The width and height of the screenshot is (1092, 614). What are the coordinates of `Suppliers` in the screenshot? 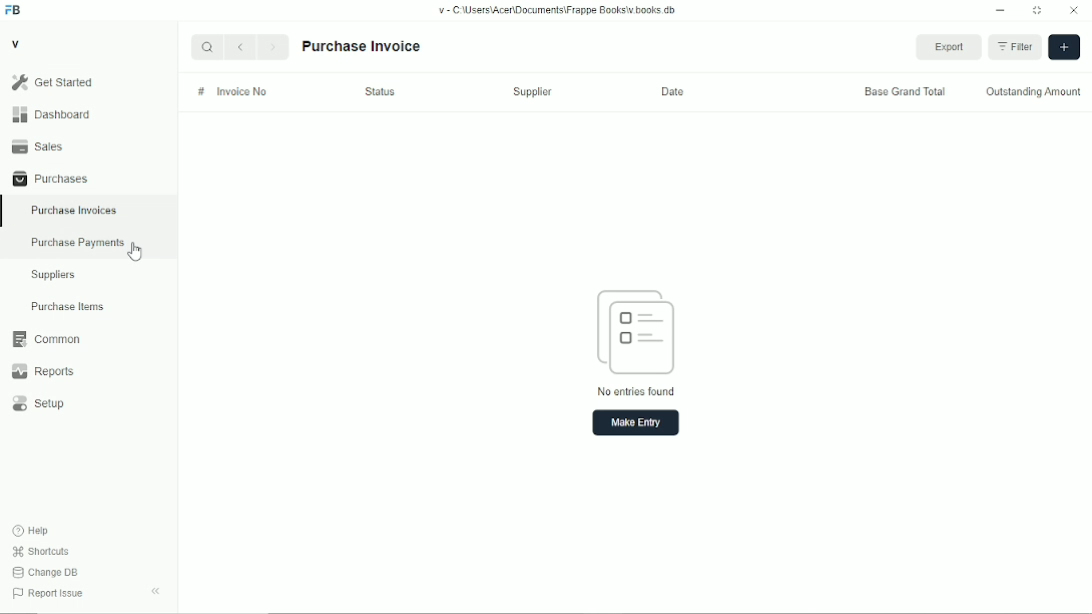 It's located at (89, 275).